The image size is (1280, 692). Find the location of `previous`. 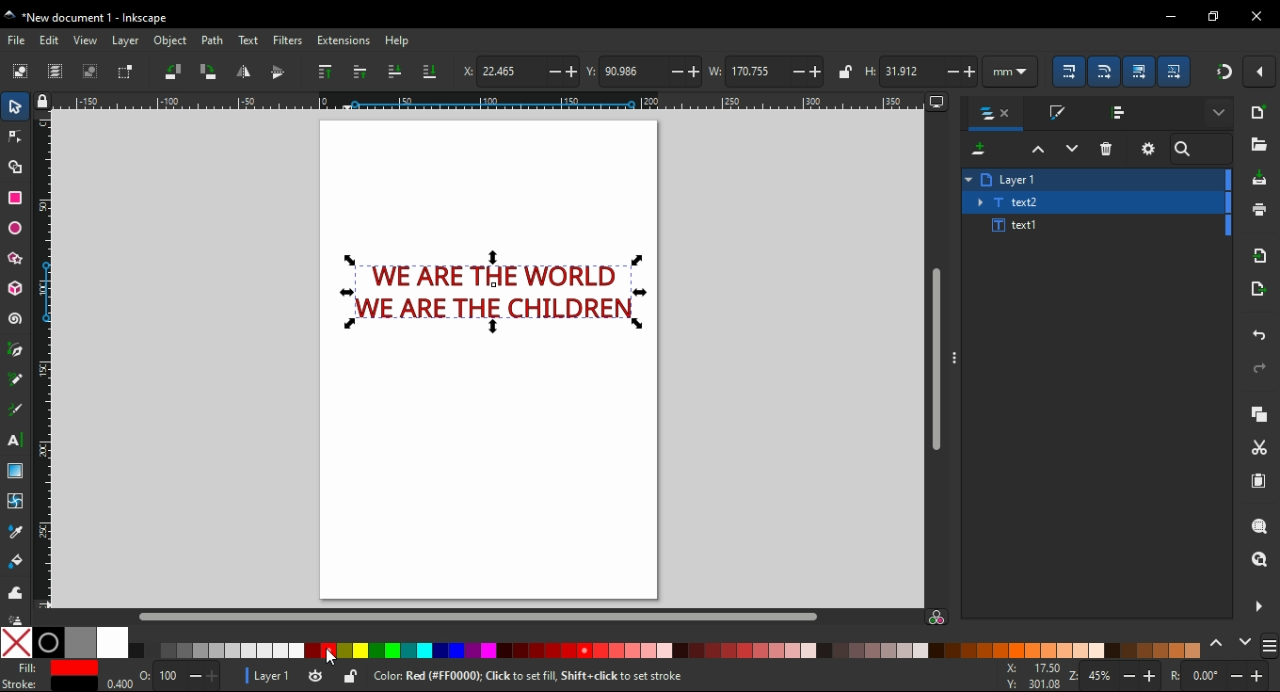

previous is located at coordinates (1218, 647).